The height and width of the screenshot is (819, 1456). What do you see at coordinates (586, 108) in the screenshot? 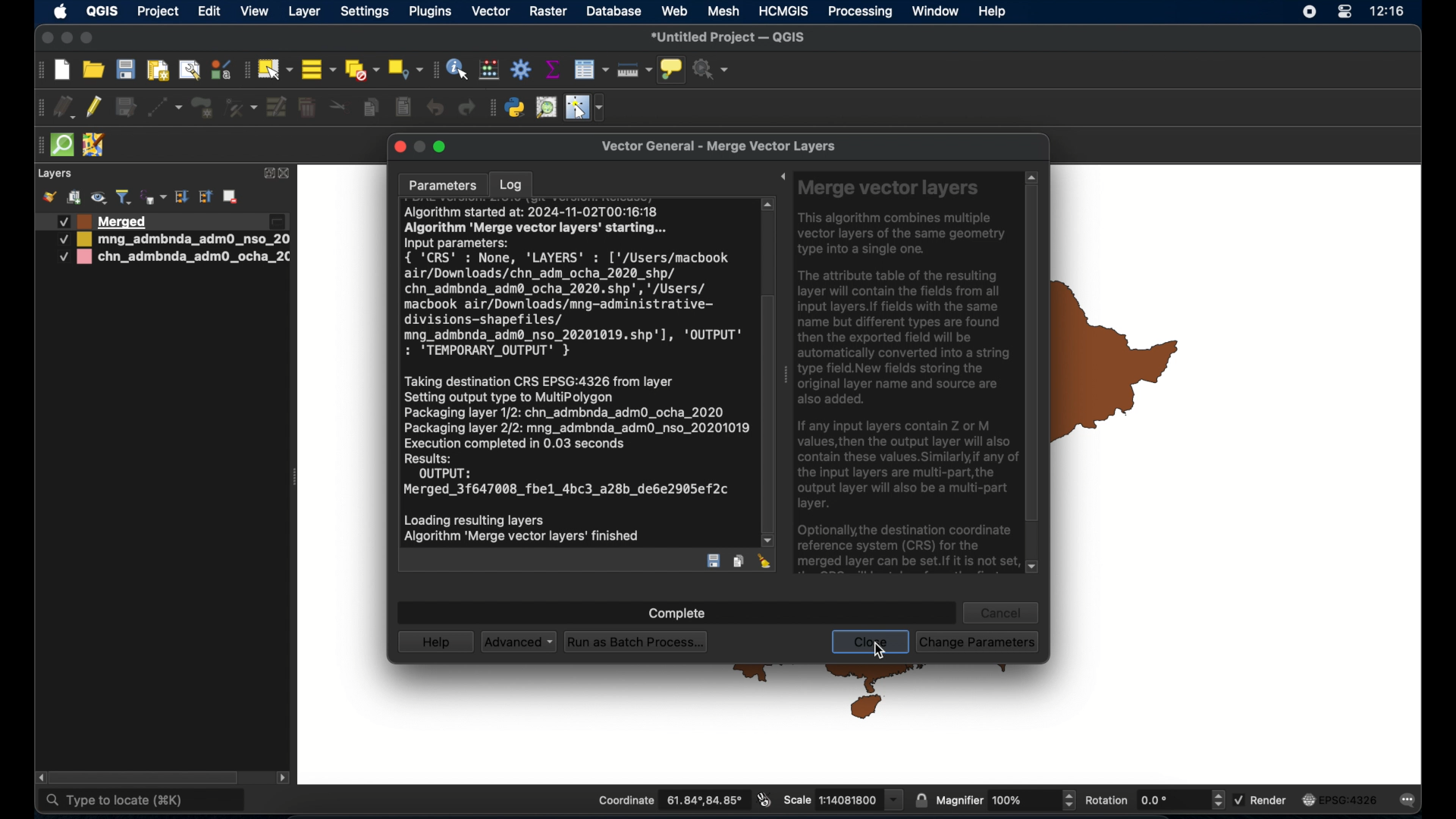
I see `switches mouse to configurable pointer` at bounding box center [586, 108].